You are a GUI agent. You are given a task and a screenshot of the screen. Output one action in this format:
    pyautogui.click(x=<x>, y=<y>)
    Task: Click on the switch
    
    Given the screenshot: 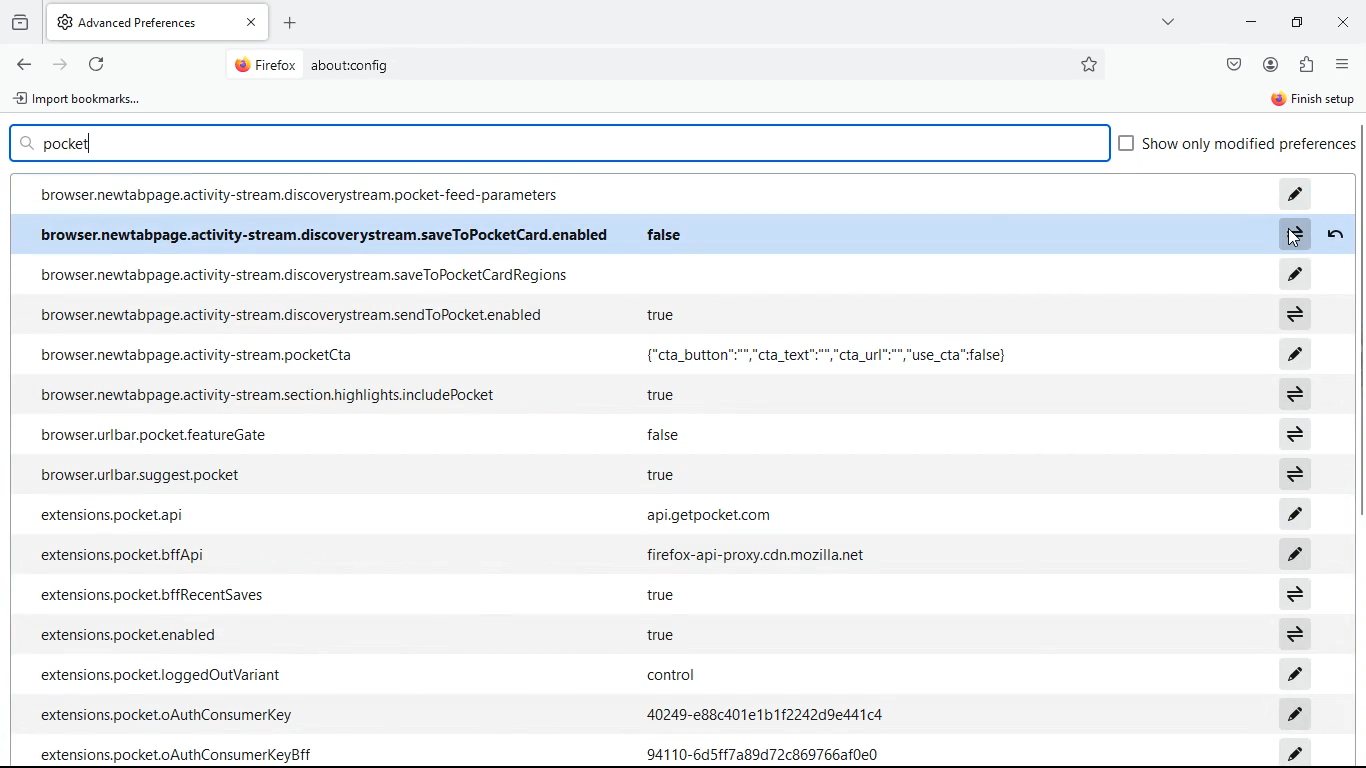 What is the action you would take?
    pyautogui.click(x=1296, y=313)
    